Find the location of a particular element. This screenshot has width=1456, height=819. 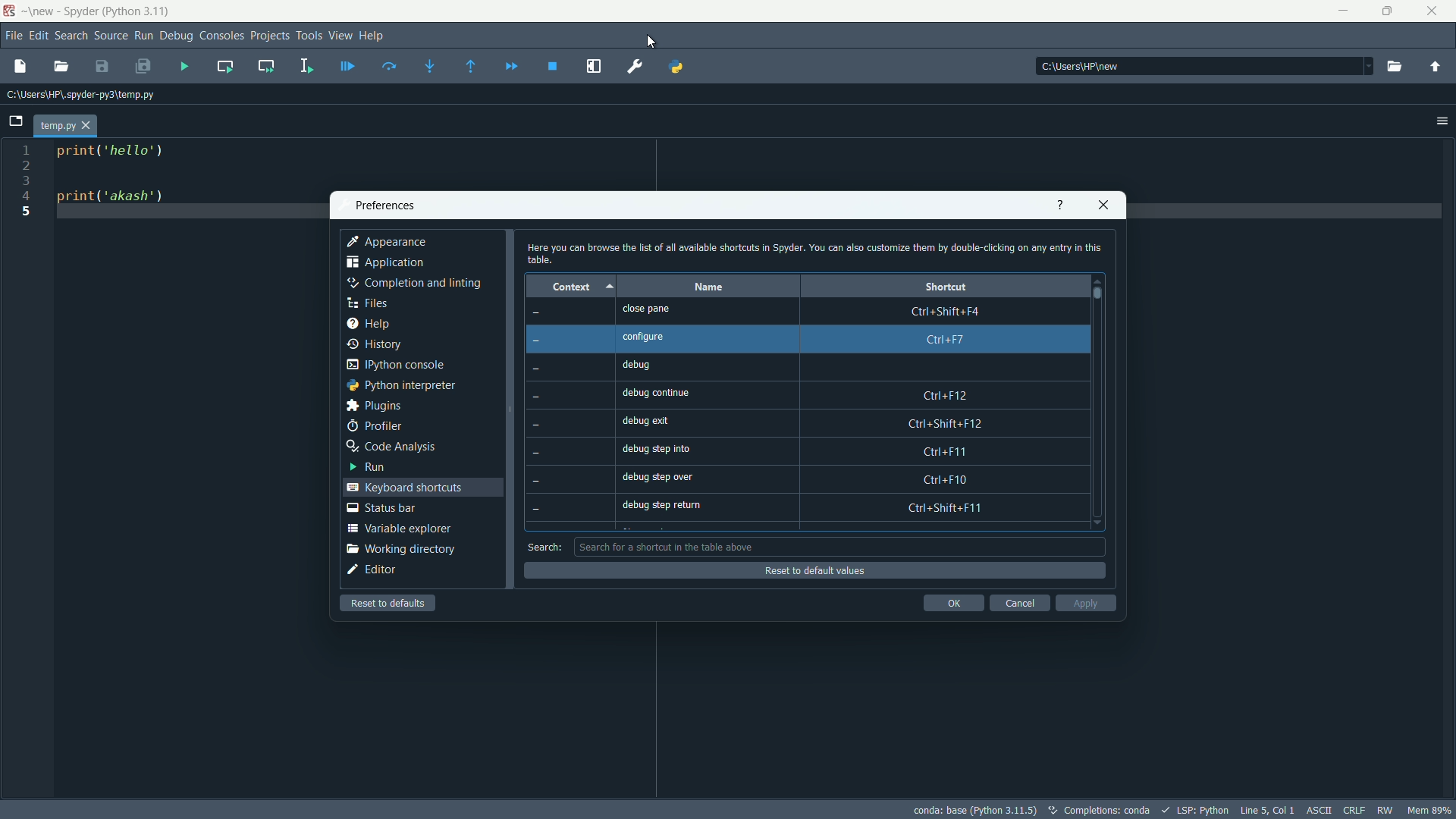

code analysis is located at coordinates (391, 447).